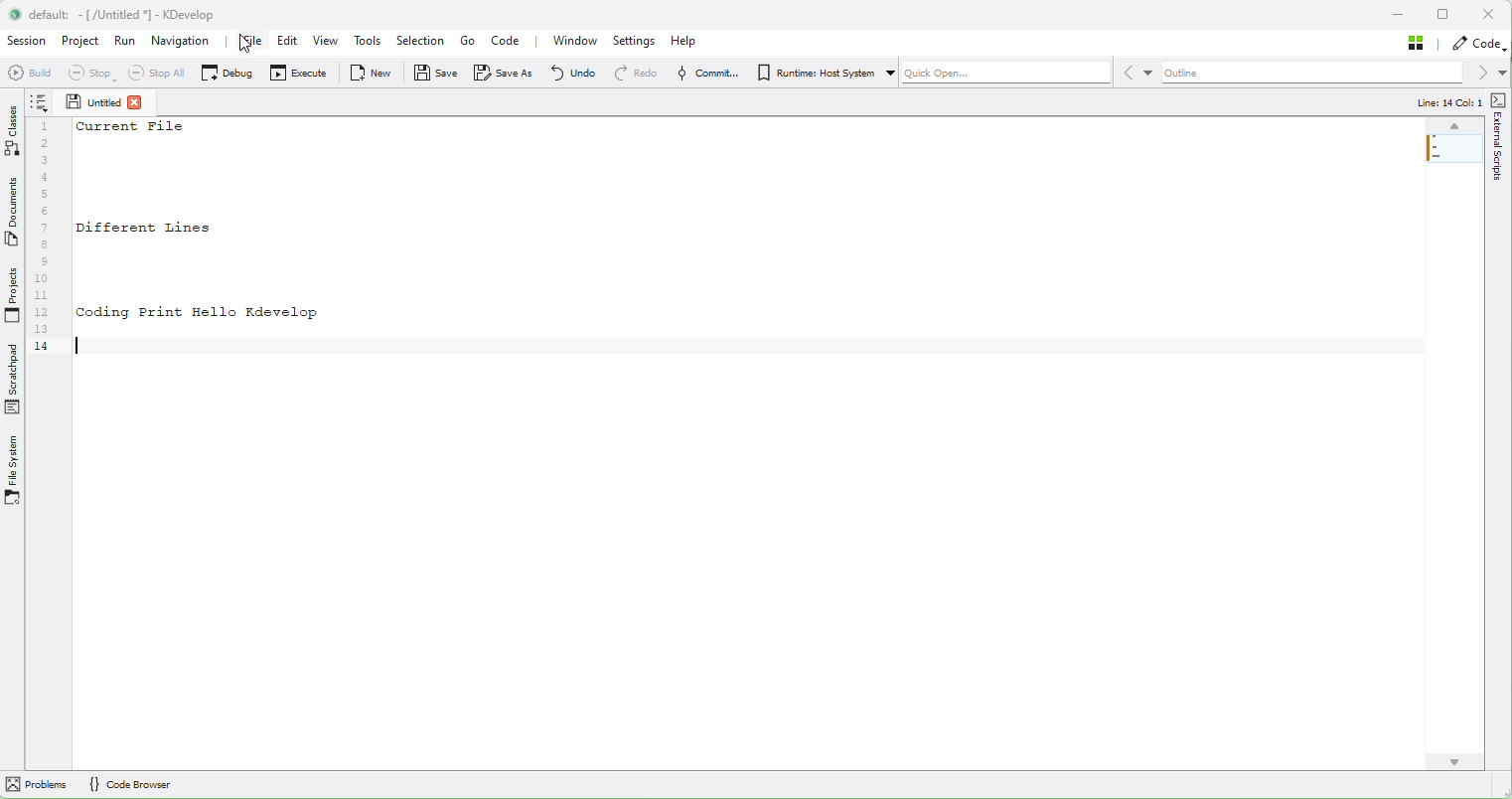 The width and height of the screenshot is (1512, 799). What do you see at coordinates (1453, 126) in the screenshot?
I see `up` at bounding box center [1453, 126].